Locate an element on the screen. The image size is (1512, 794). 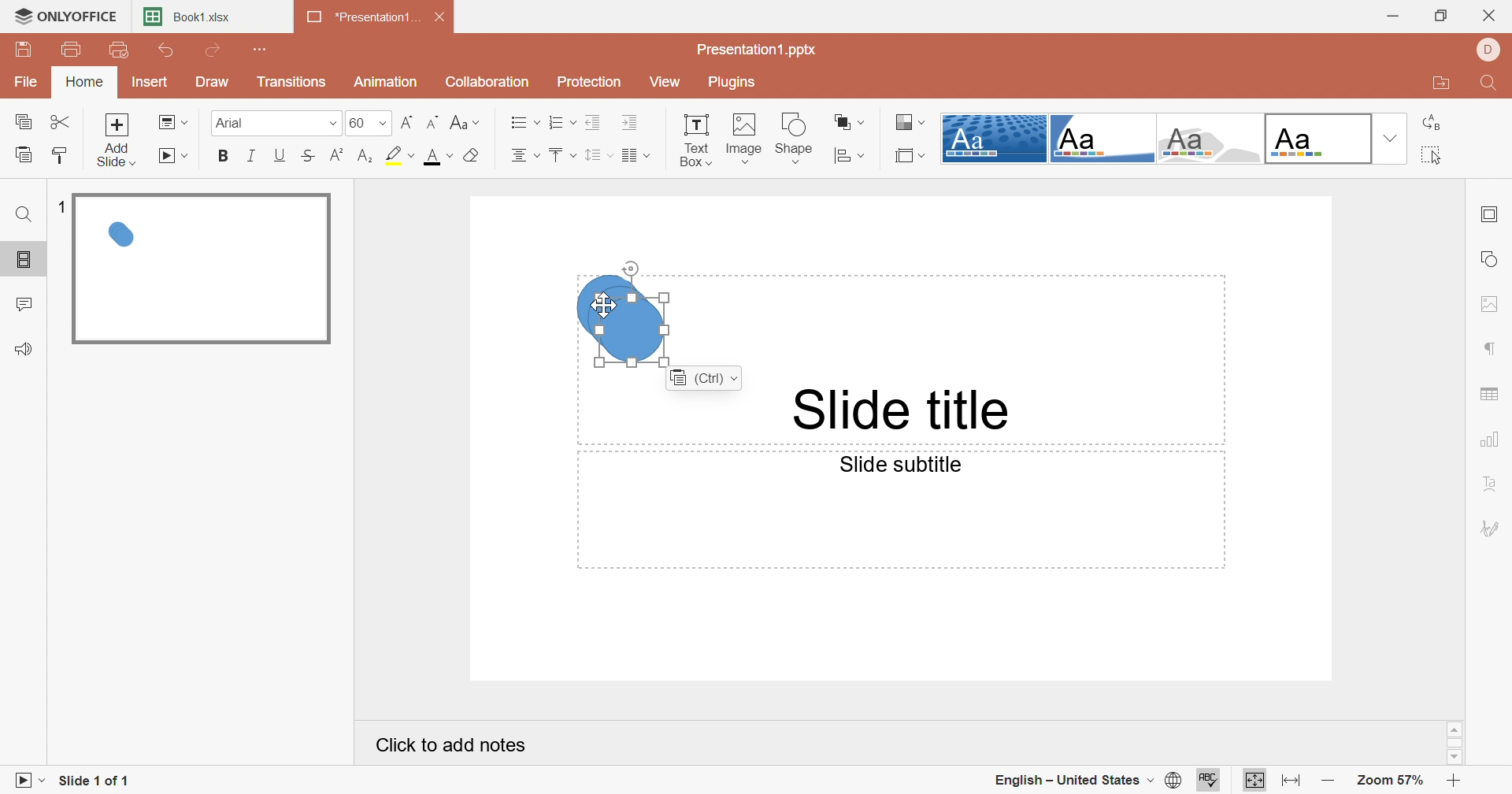
Image is located at coordinates (741, 139).